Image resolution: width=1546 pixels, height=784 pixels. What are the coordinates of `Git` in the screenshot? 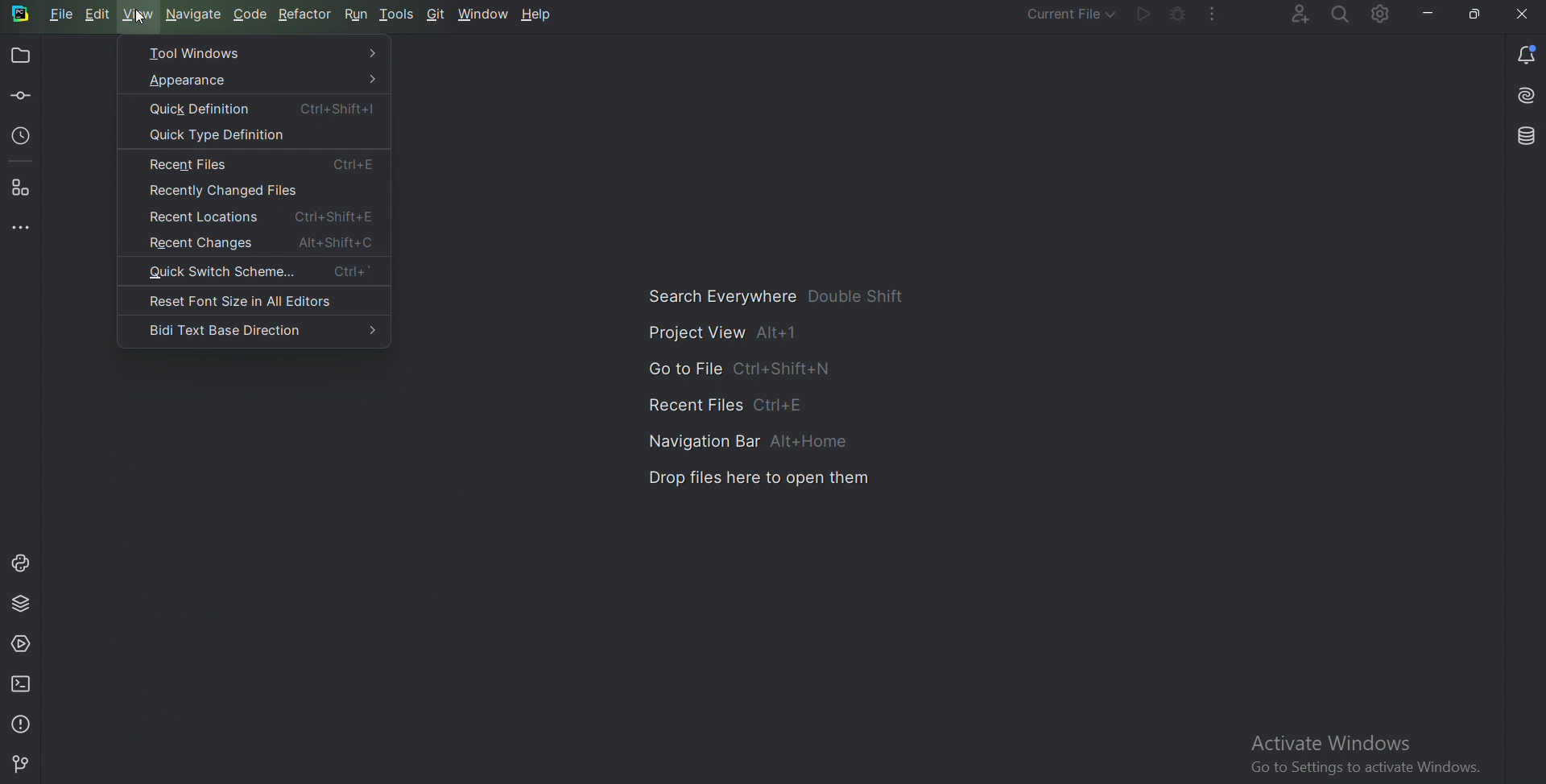 It's located at (436, 14).